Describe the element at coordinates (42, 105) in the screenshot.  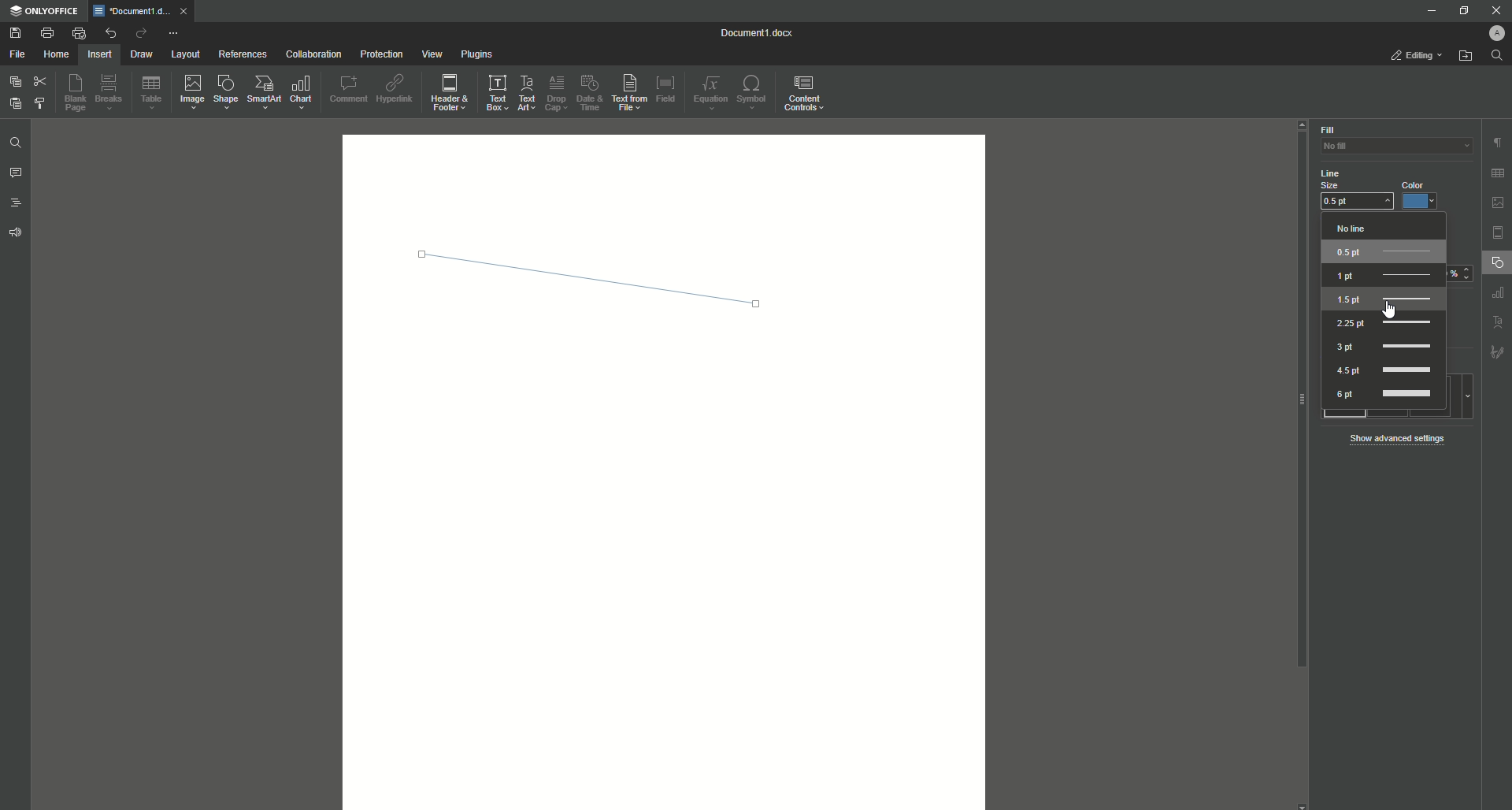
I see `Choose Styling` at that location.